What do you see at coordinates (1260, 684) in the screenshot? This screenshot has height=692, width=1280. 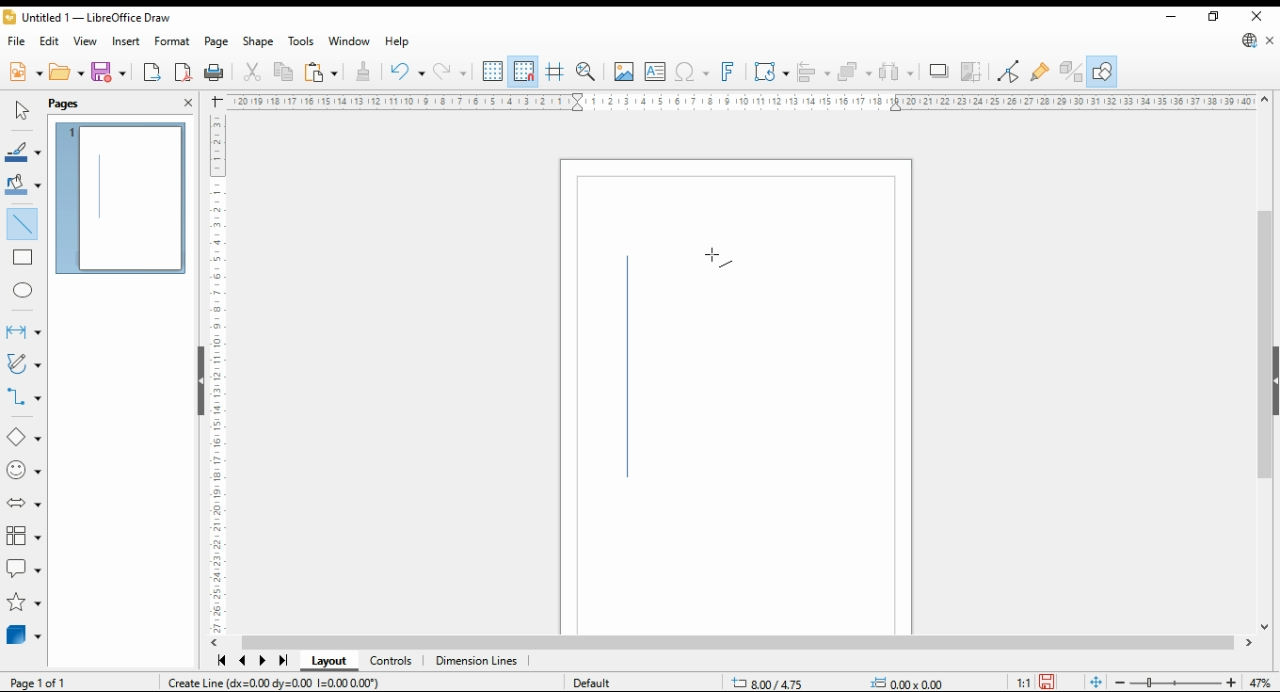 I see `zoom factor` at bounding box center [1260, 684].